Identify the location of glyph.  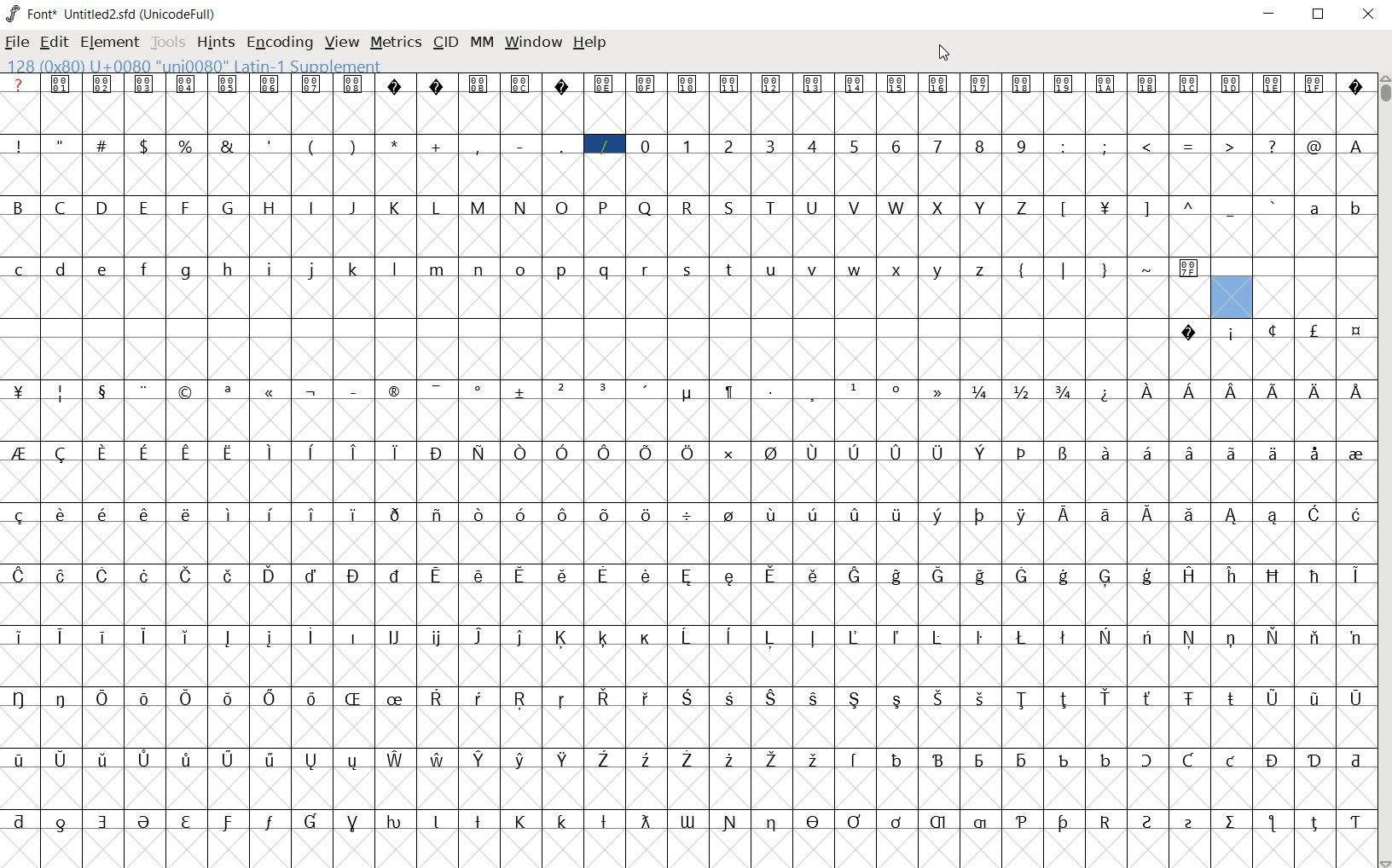
(897, 701).